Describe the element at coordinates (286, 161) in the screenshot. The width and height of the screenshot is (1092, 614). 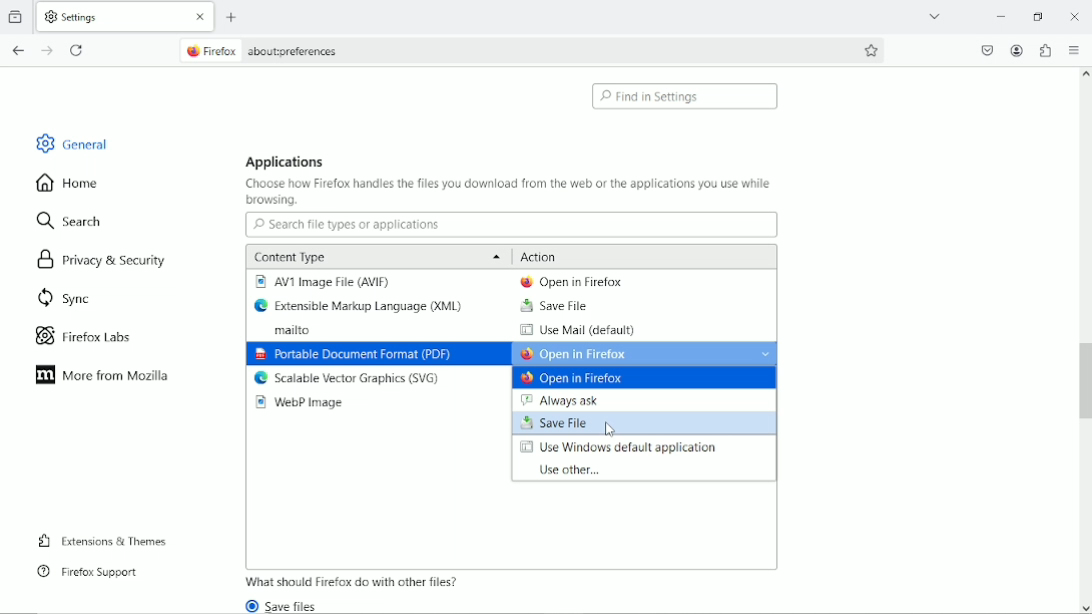
I see `Applications` at that location.